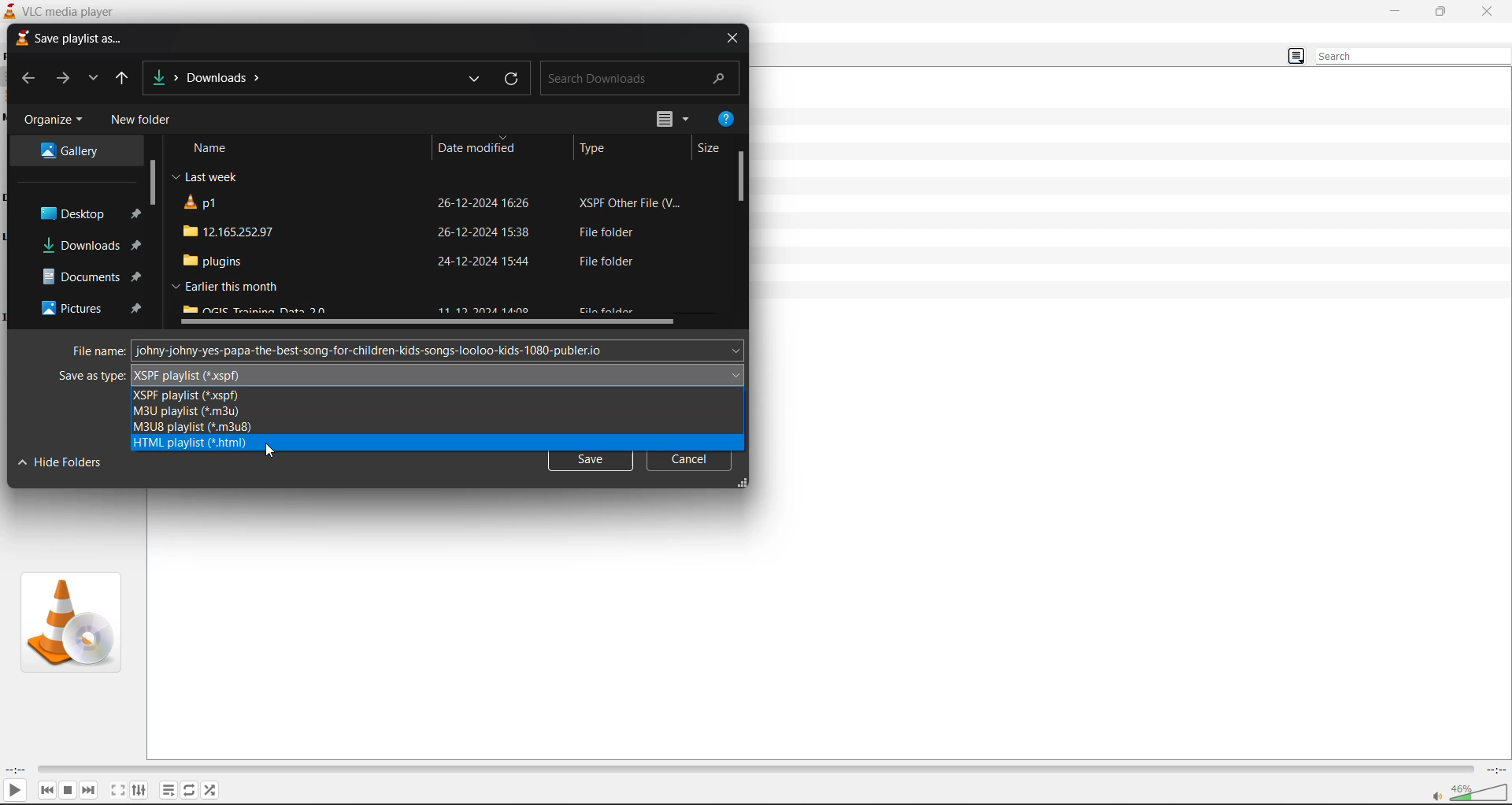  What do you see at coordinates (1392, 10) in the screenshot?
I see `minimize` at bounding box center [1392, 10].